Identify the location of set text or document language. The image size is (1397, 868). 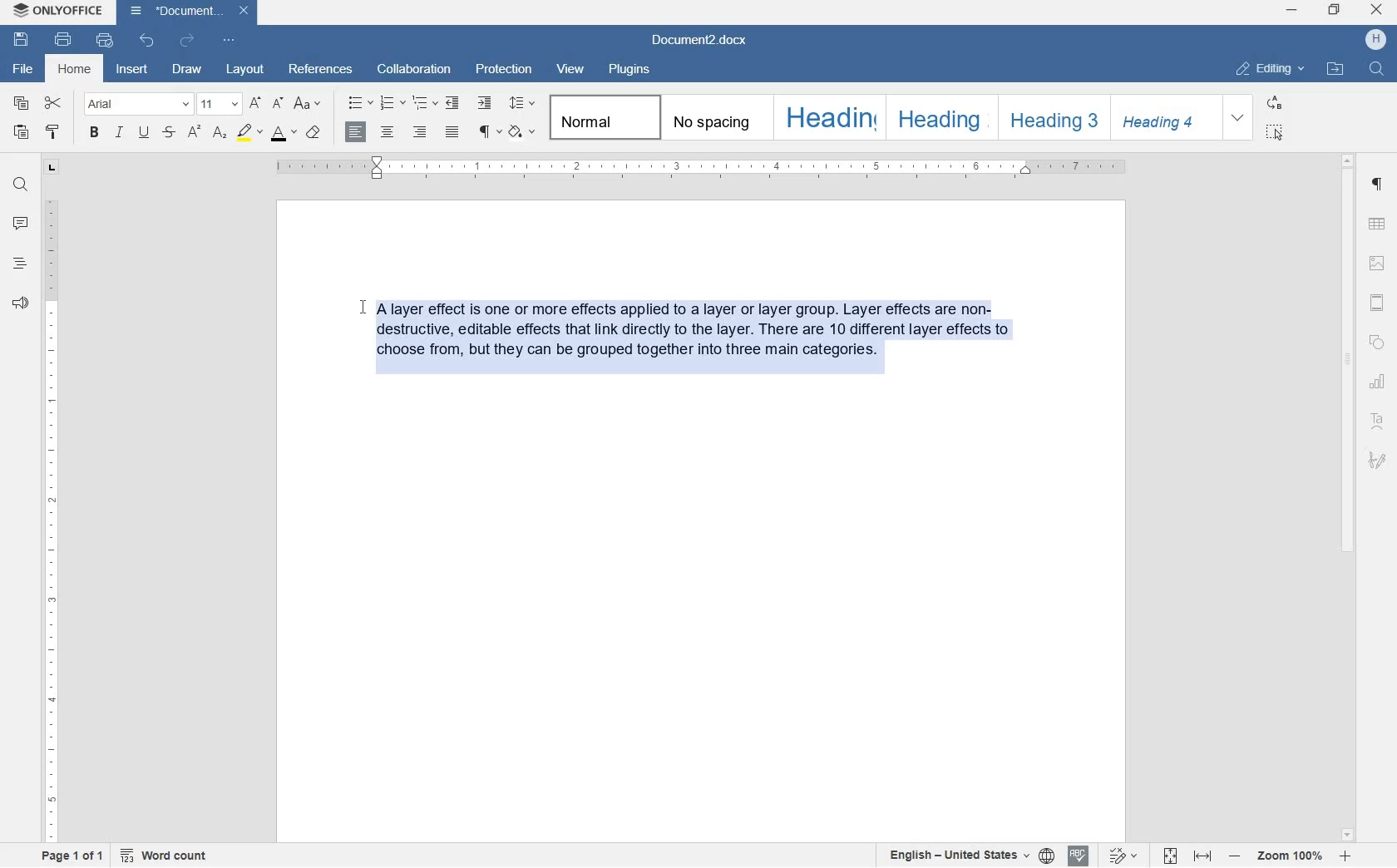
(967, 855).